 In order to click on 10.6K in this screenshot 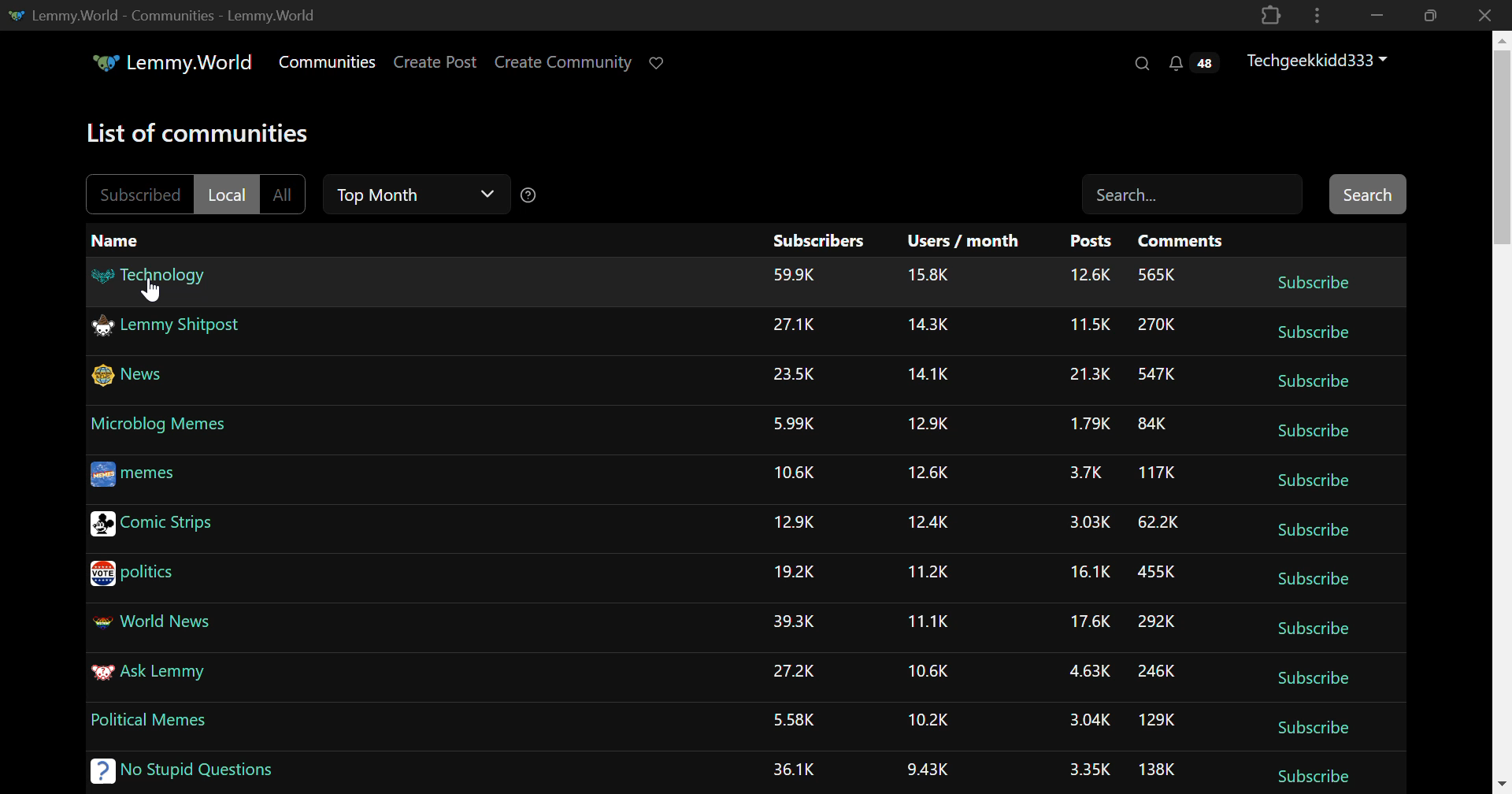, I will do `click(797, 471)`.